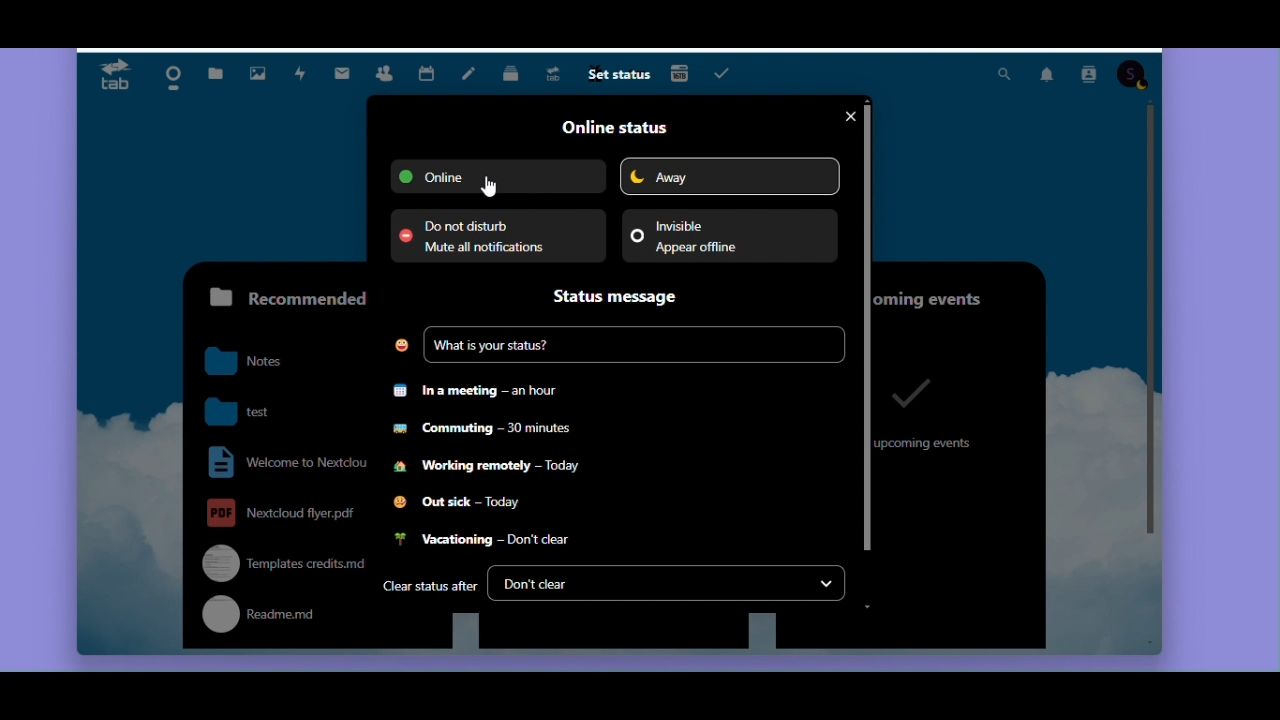 The image size is (1280, 720). I want to click on nextcloud flyer, so click(282, 512).